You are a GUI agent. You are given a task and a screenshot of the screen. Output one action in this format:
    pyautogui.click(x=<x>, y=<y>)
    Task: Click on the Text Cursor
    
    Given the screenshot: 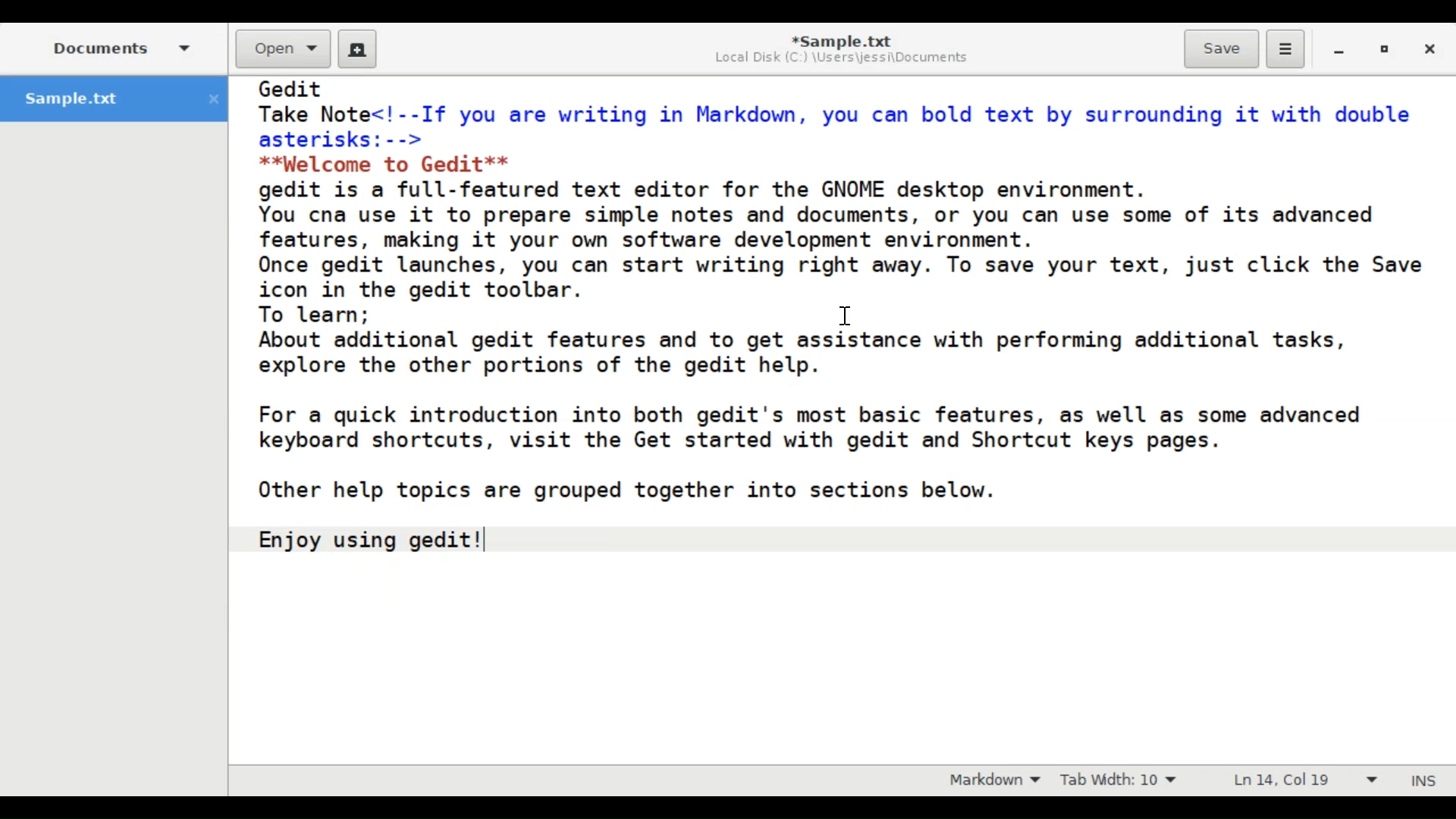 What is the action you would take?
    pyautogui.click(x=845, y=317)
    